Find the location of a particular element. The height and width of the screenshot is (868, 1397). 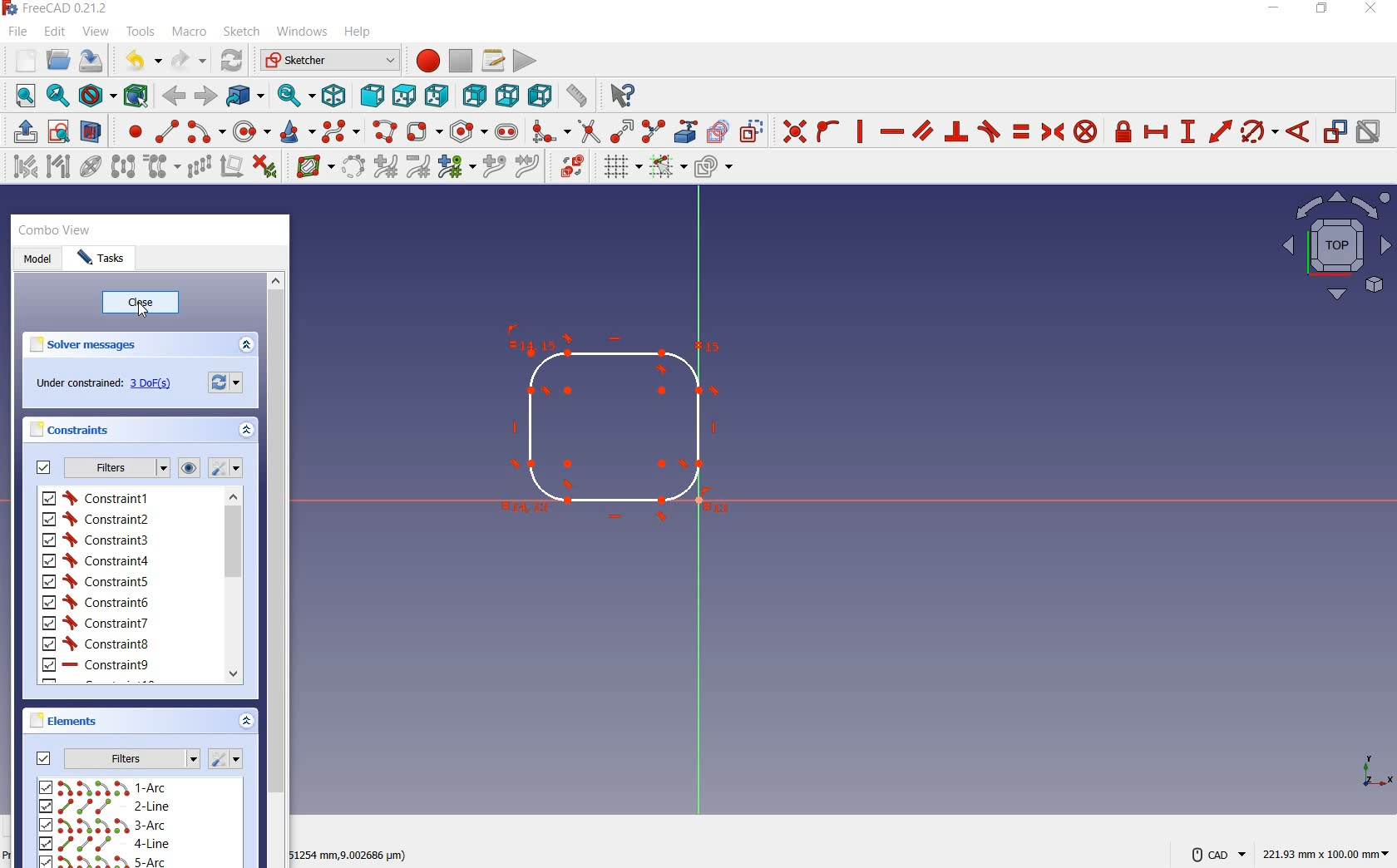

go to linked object is located at coordinates (245, 96).